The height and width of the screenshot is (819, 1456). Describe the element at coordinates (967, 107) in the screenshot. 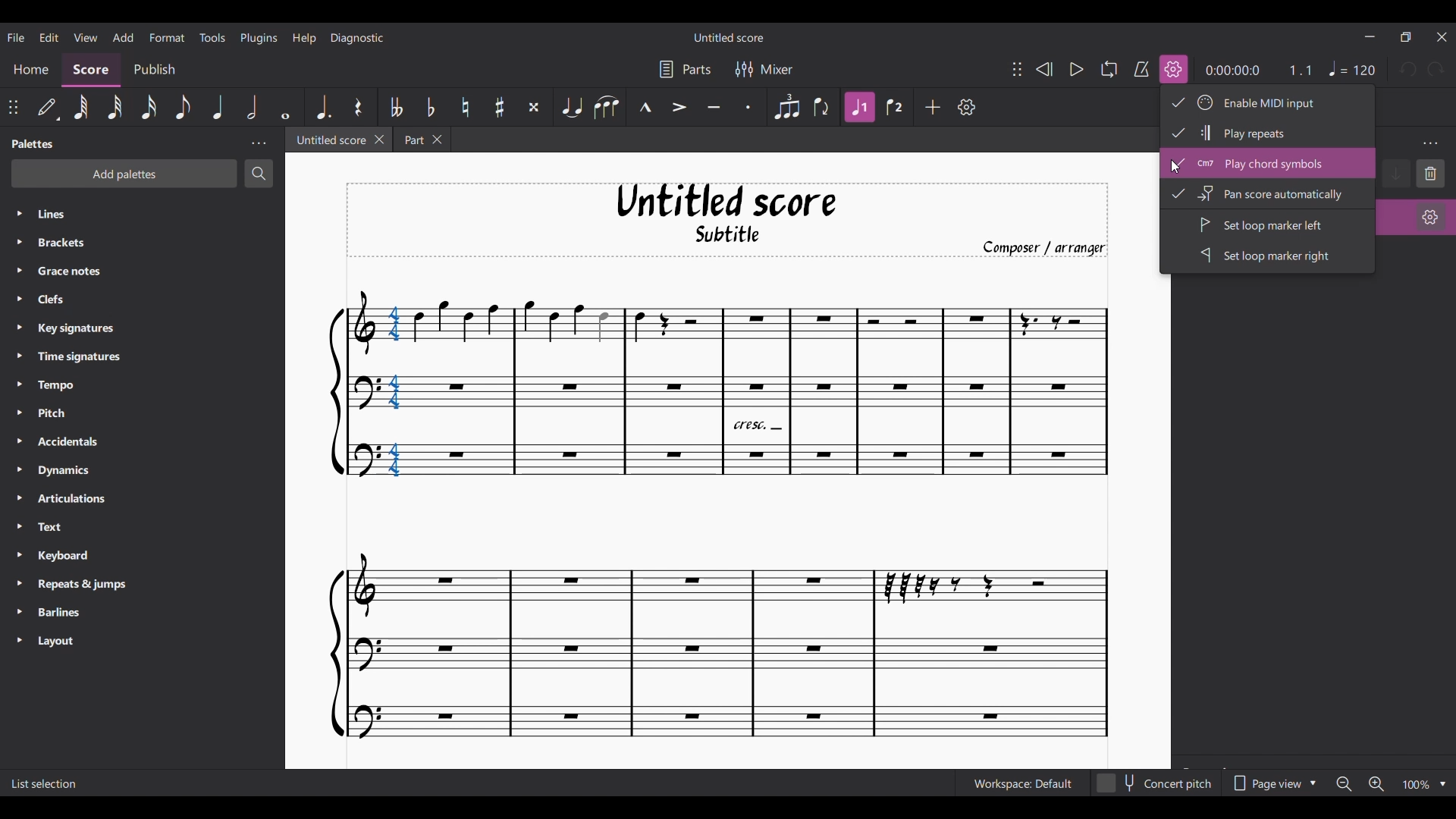

I see `Customize toolbar` at that location.